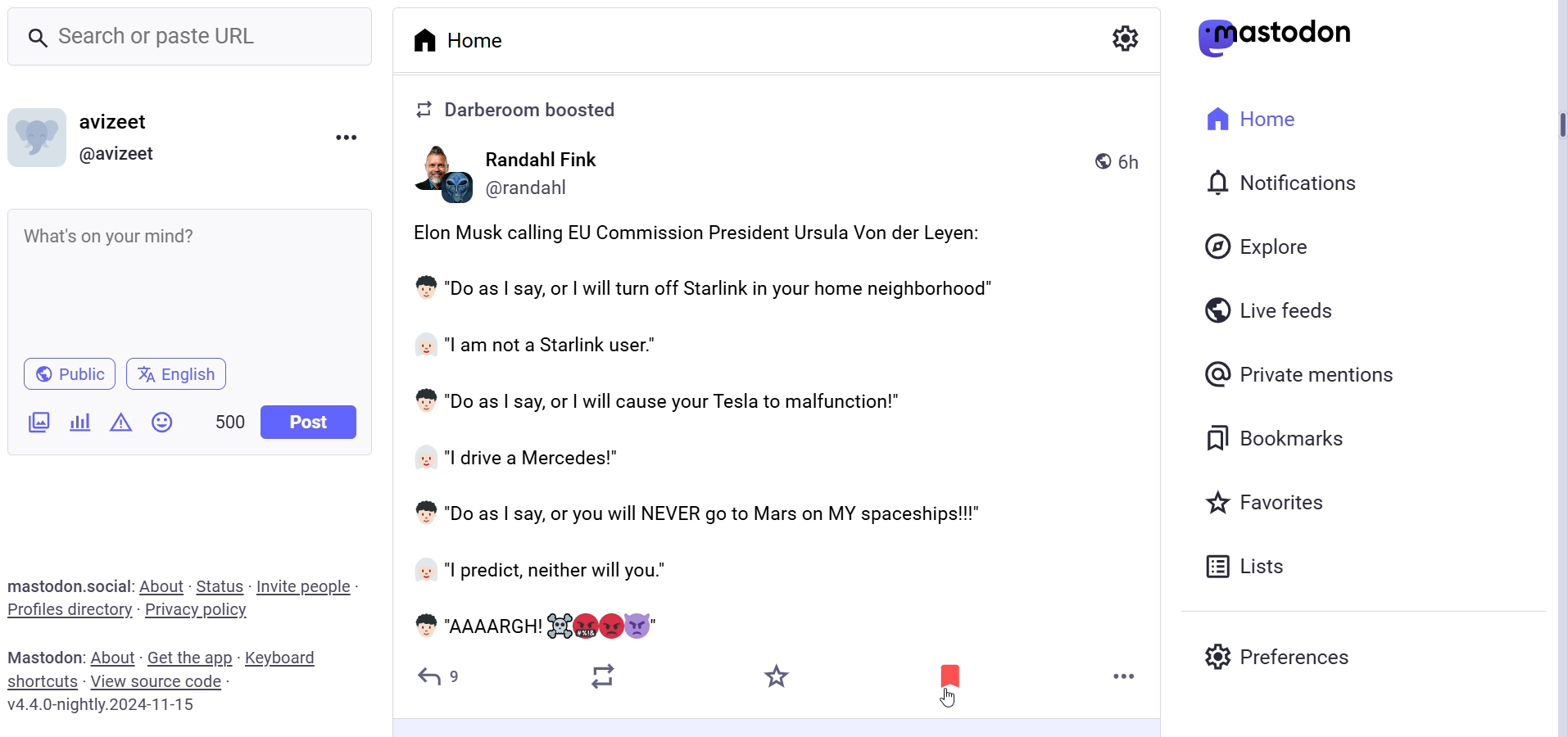 The image size is (1568, 737). What do you see at coordinates (657, 404) in the screenshot?
I see `' "Do as | say, or | will cause your Tesla to malfunction!”` at bounding box center [657, 404].